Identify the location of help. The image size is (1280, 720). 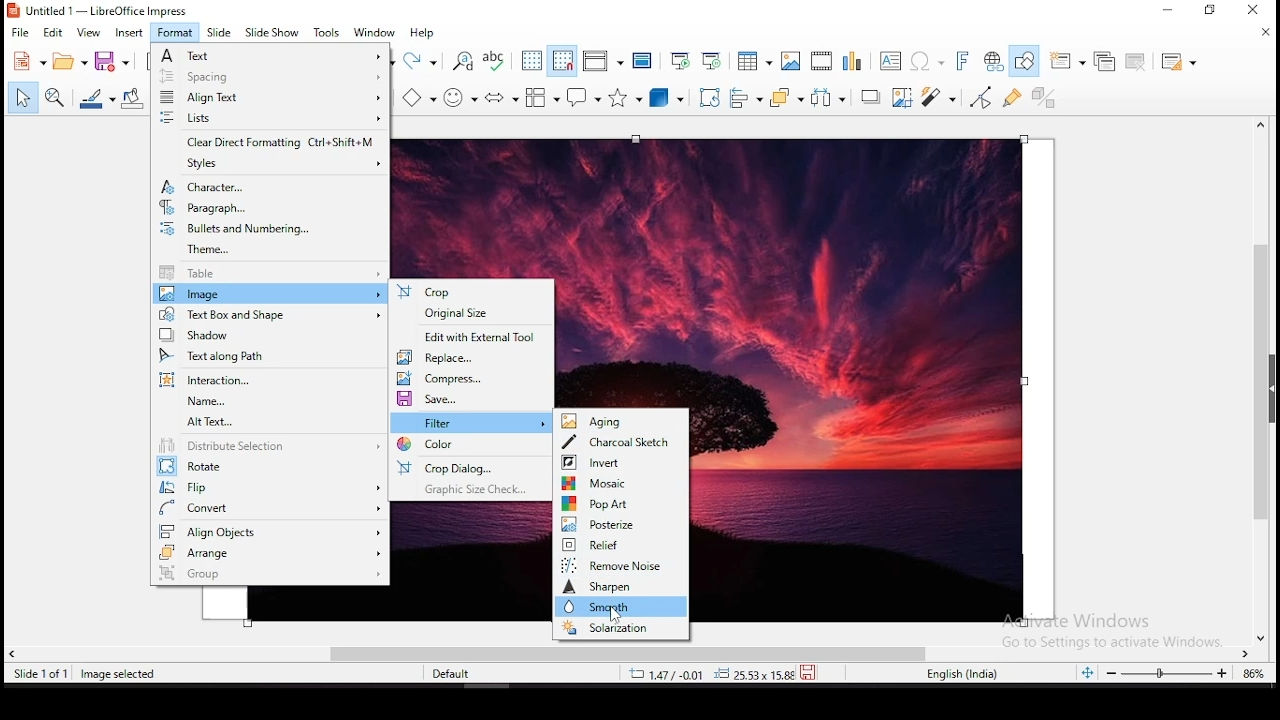
(425, 34).